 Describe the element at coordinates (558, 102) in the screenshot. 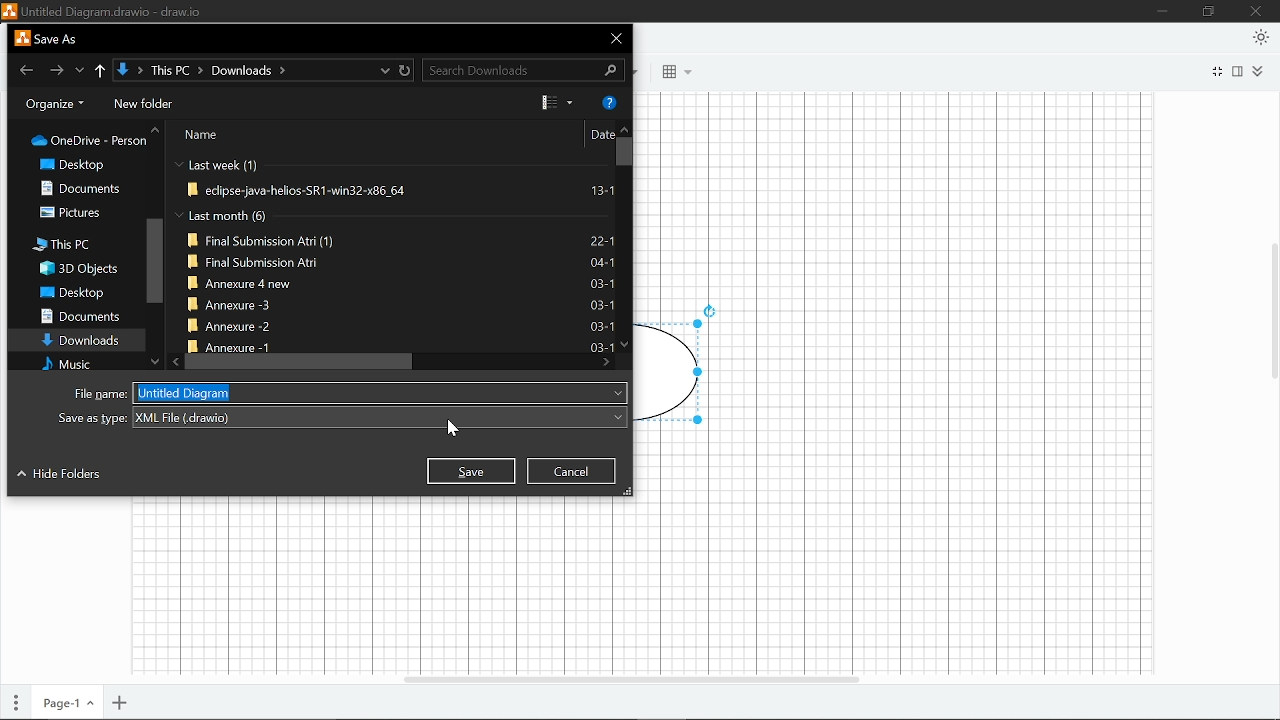

I see `view` at that location.